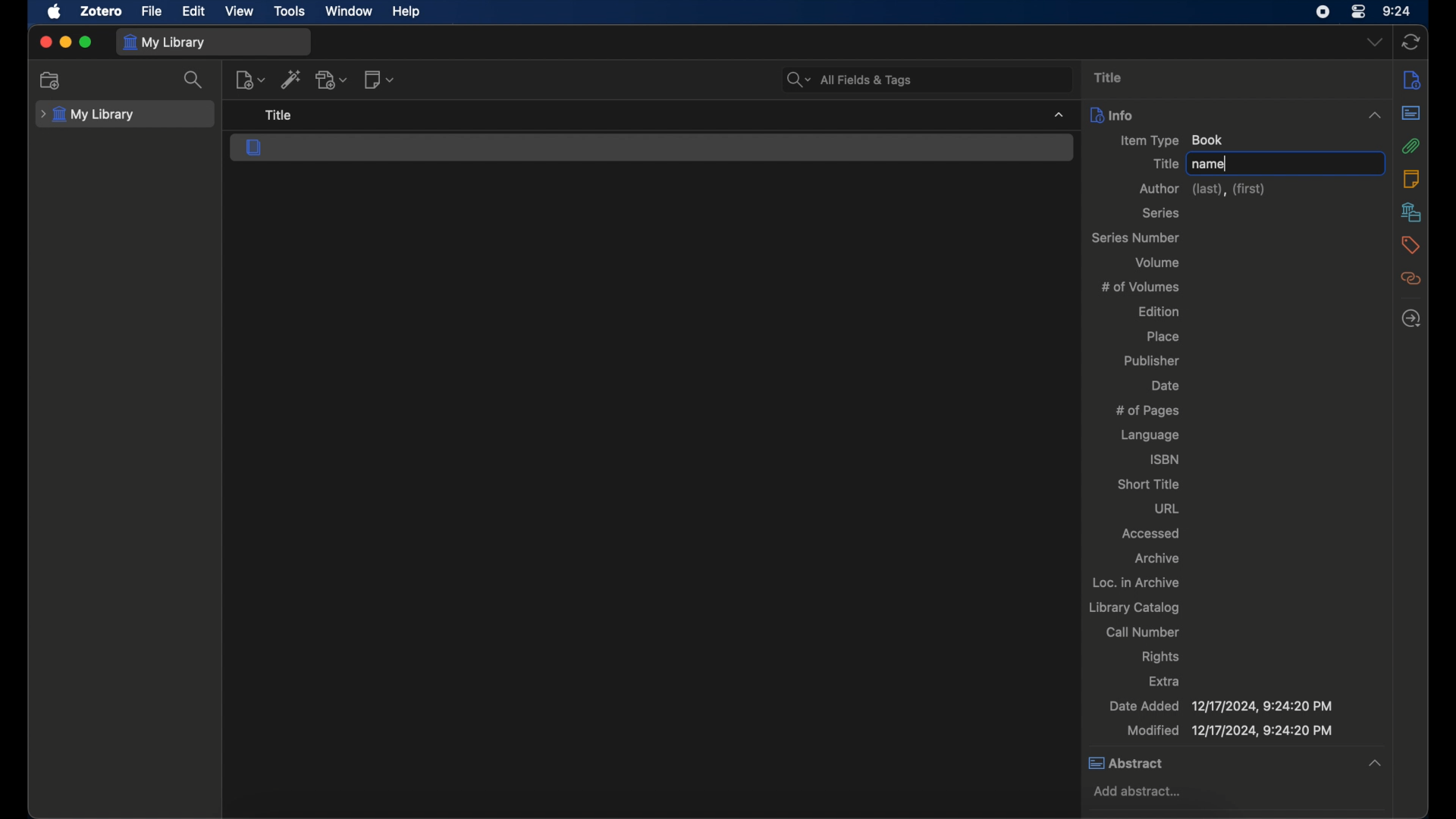  What do you see at coordinates (1388, 380) in the screenshot?
I see `scroll box` at bounding box center [1388, 380].